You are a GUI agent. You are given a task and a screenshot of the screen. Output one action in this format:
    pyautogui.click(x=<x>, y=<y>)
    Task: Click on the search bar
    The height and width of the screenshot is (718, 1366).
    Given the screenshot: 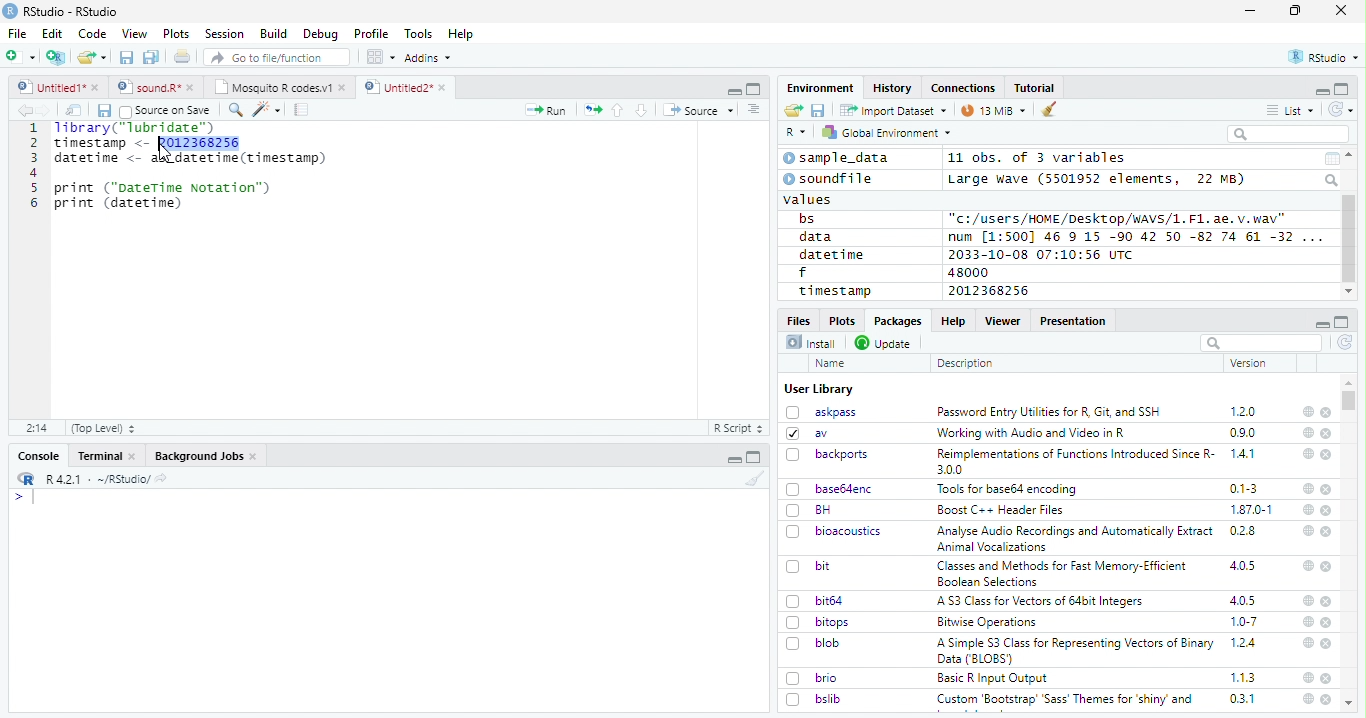 What is the action you would take?
    pyautogui.click(x=1259, y=342)
    